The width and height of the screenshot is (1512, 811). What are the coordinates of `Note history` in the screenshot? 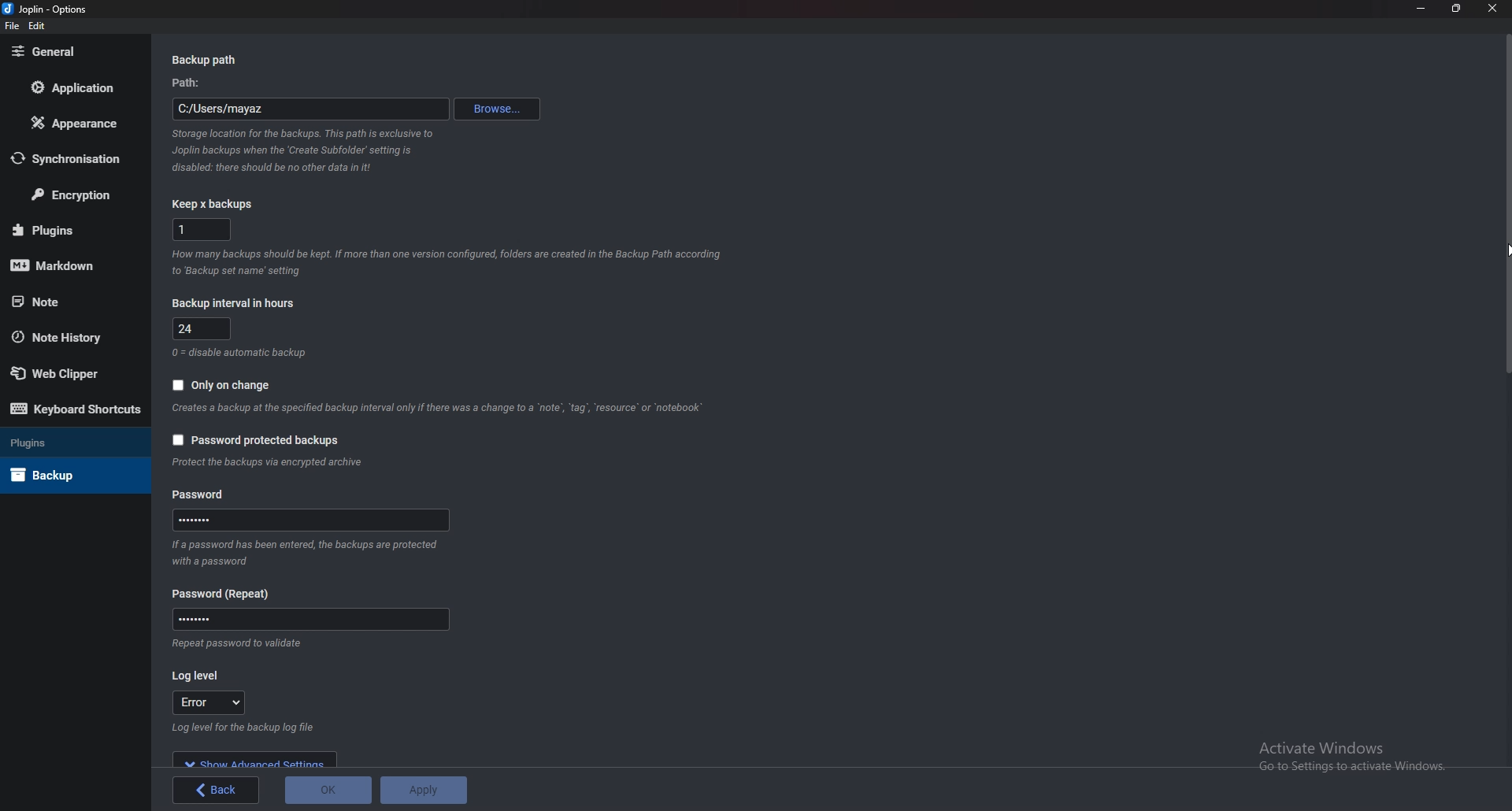 It's located at (69, 336).